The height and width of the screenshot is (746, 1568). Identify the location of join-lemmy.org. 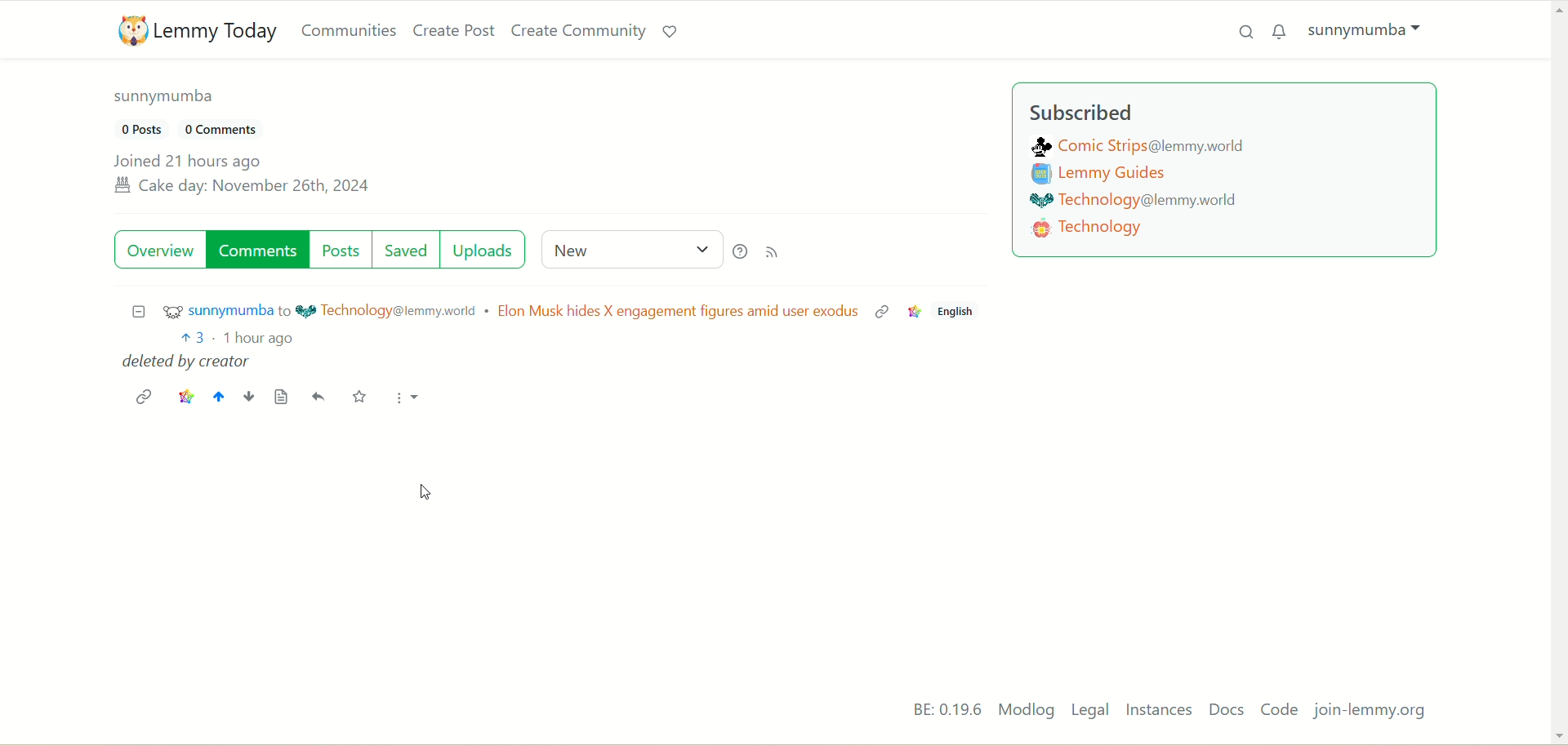
(1371, 711).